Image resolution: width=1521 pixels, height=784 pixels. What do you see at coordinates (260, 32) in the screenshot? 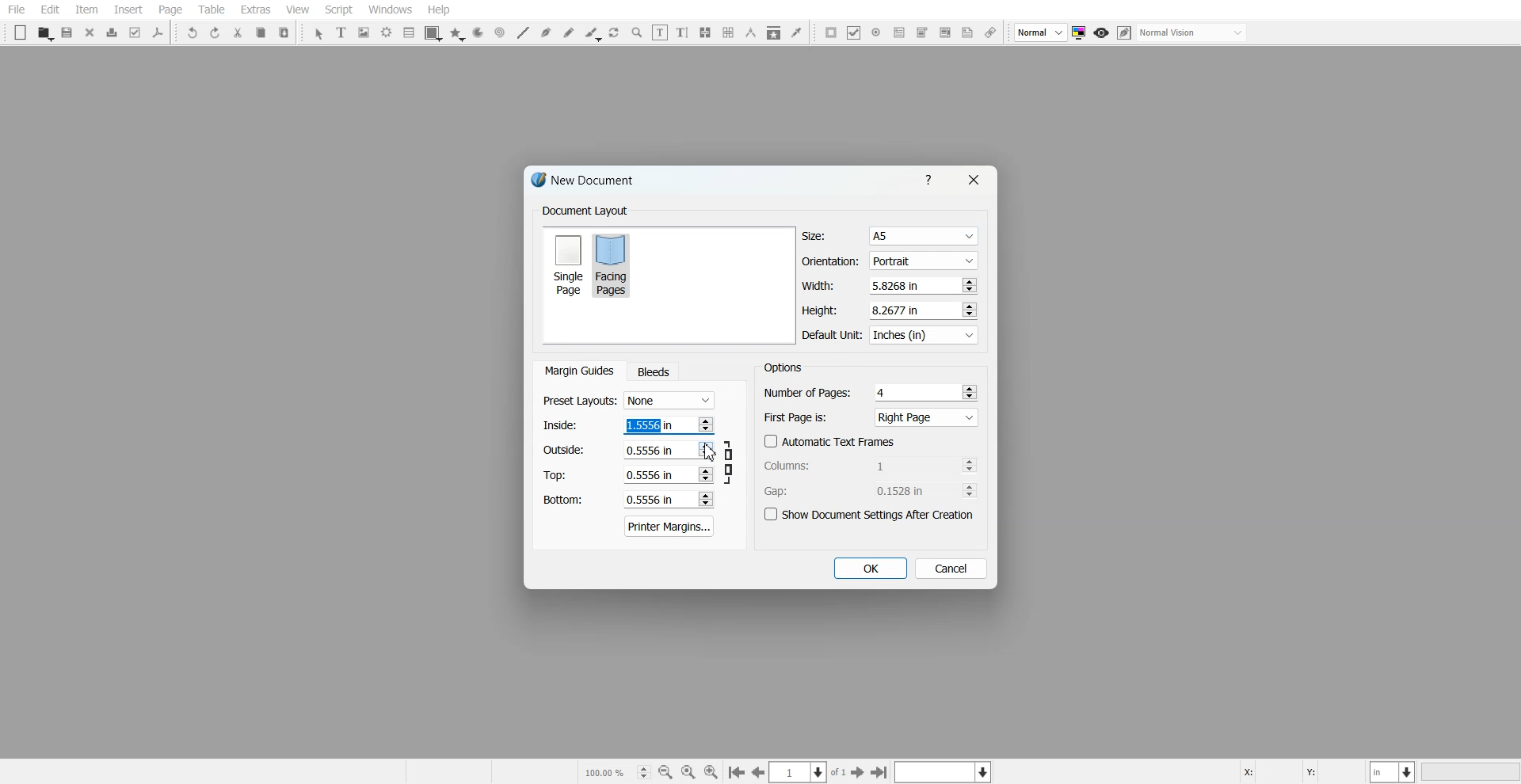
I see `Copy` at bounding box center [260, 32].